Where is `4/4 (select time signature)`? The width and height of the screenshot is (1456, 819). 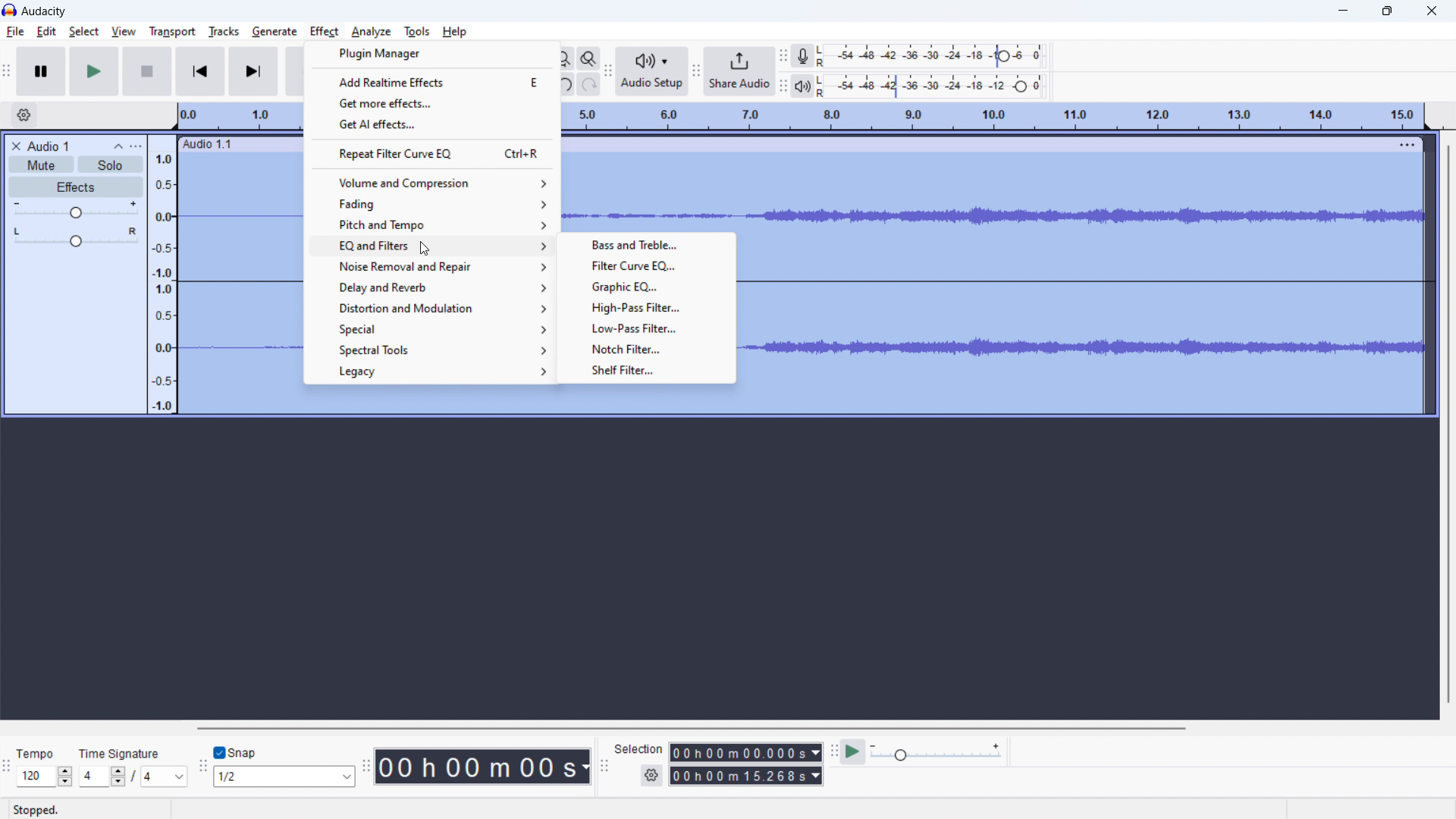
4/4 (select time signature) is located at coordinates (133, 776).